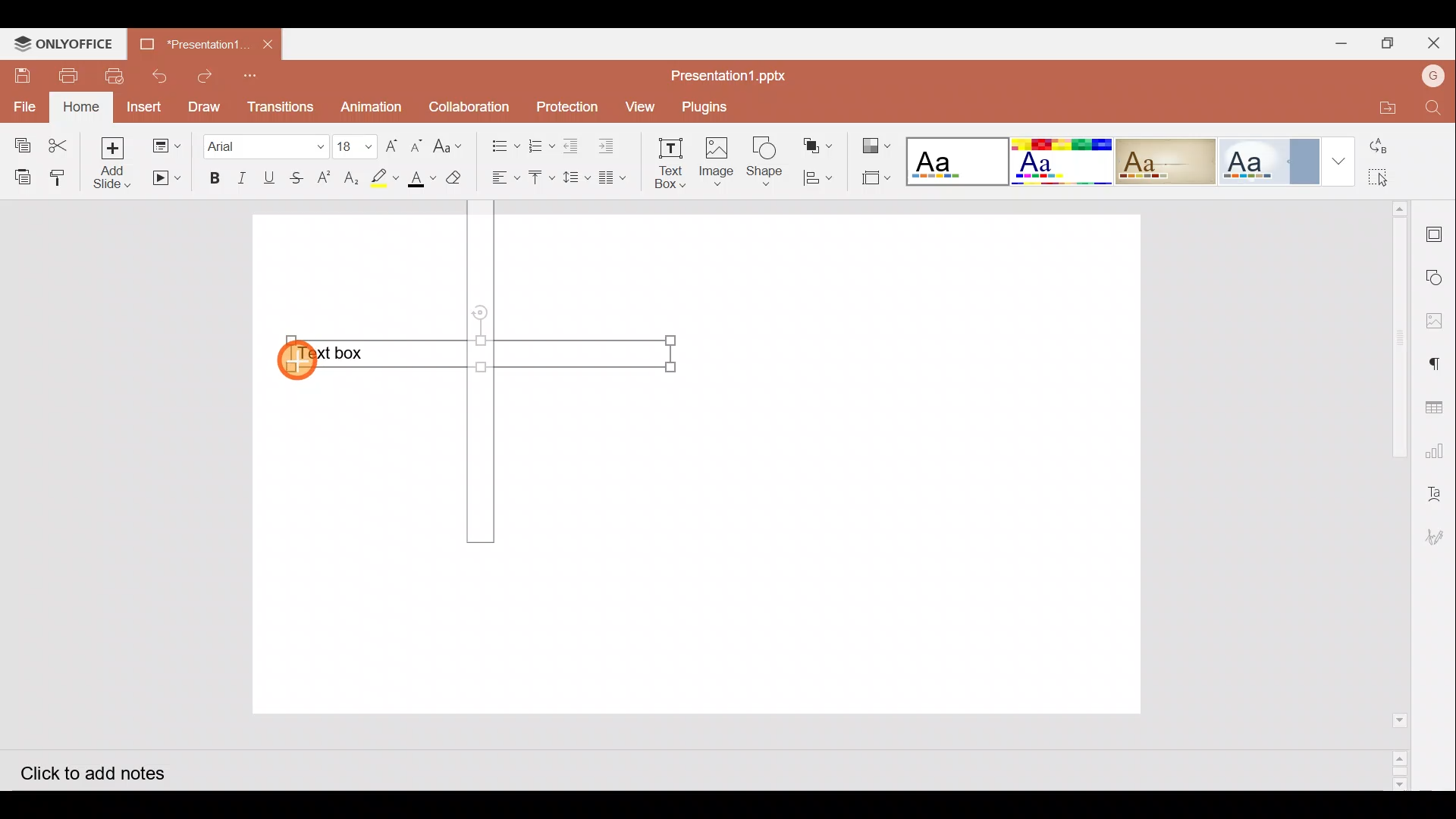 The image size is (1456, 819). I want to click on Basic, so click(1057, 160).